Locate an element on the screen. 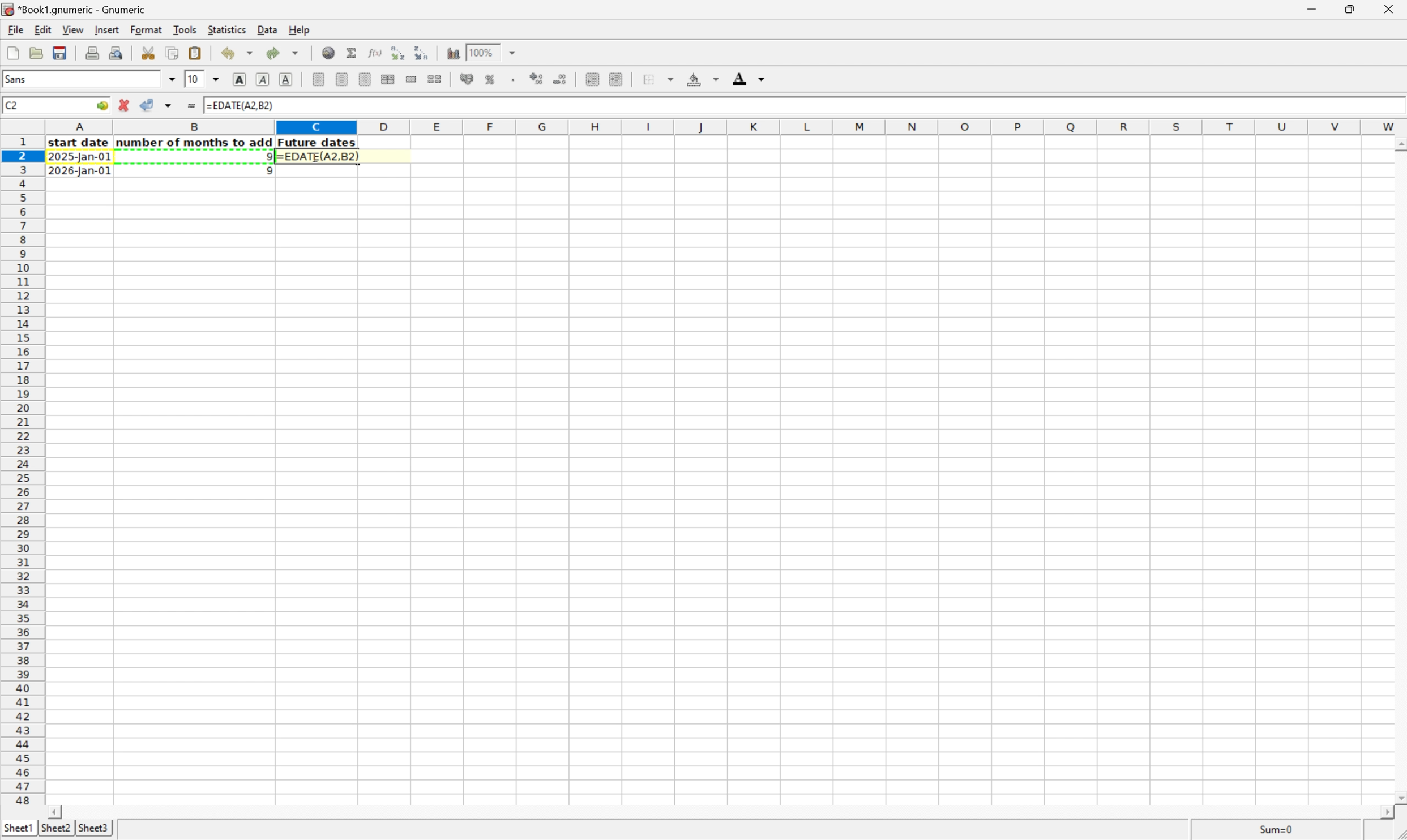  Align Left is located at coordinates (318, 79).